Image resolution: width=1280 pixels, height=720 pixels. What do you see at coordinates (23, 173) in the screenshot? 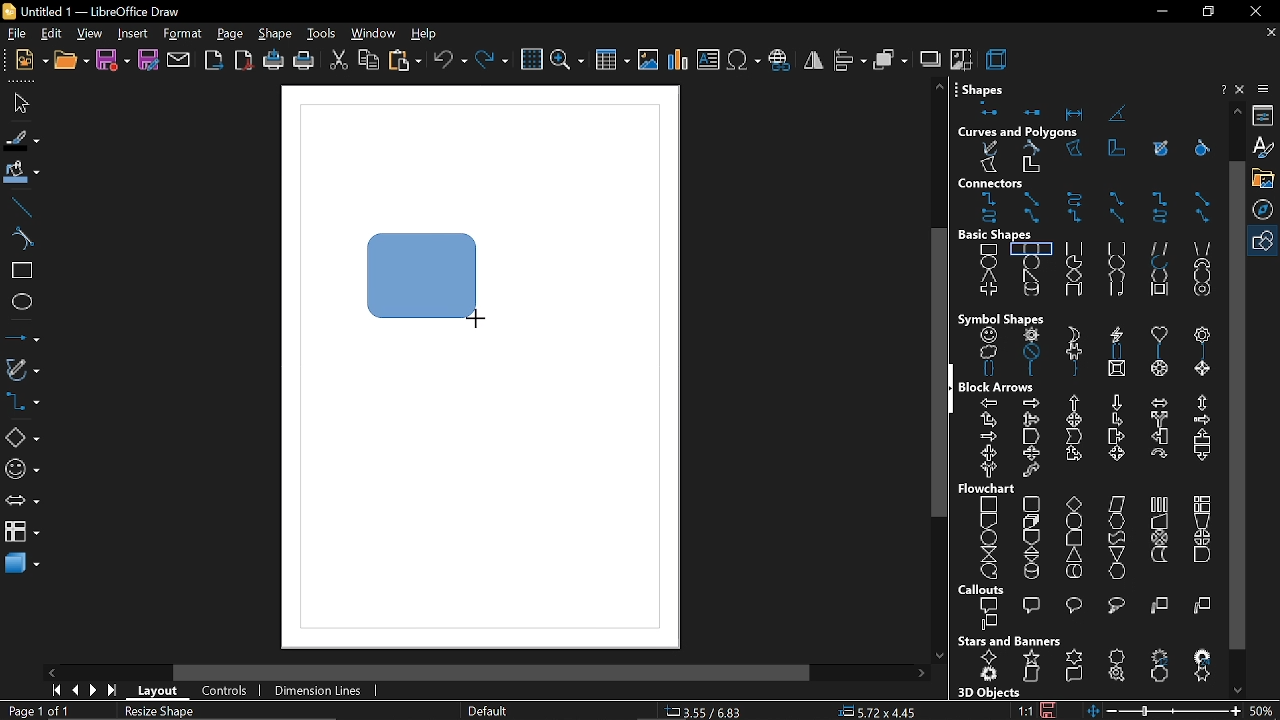
I see `fill color` at bounding box center [23, 173].